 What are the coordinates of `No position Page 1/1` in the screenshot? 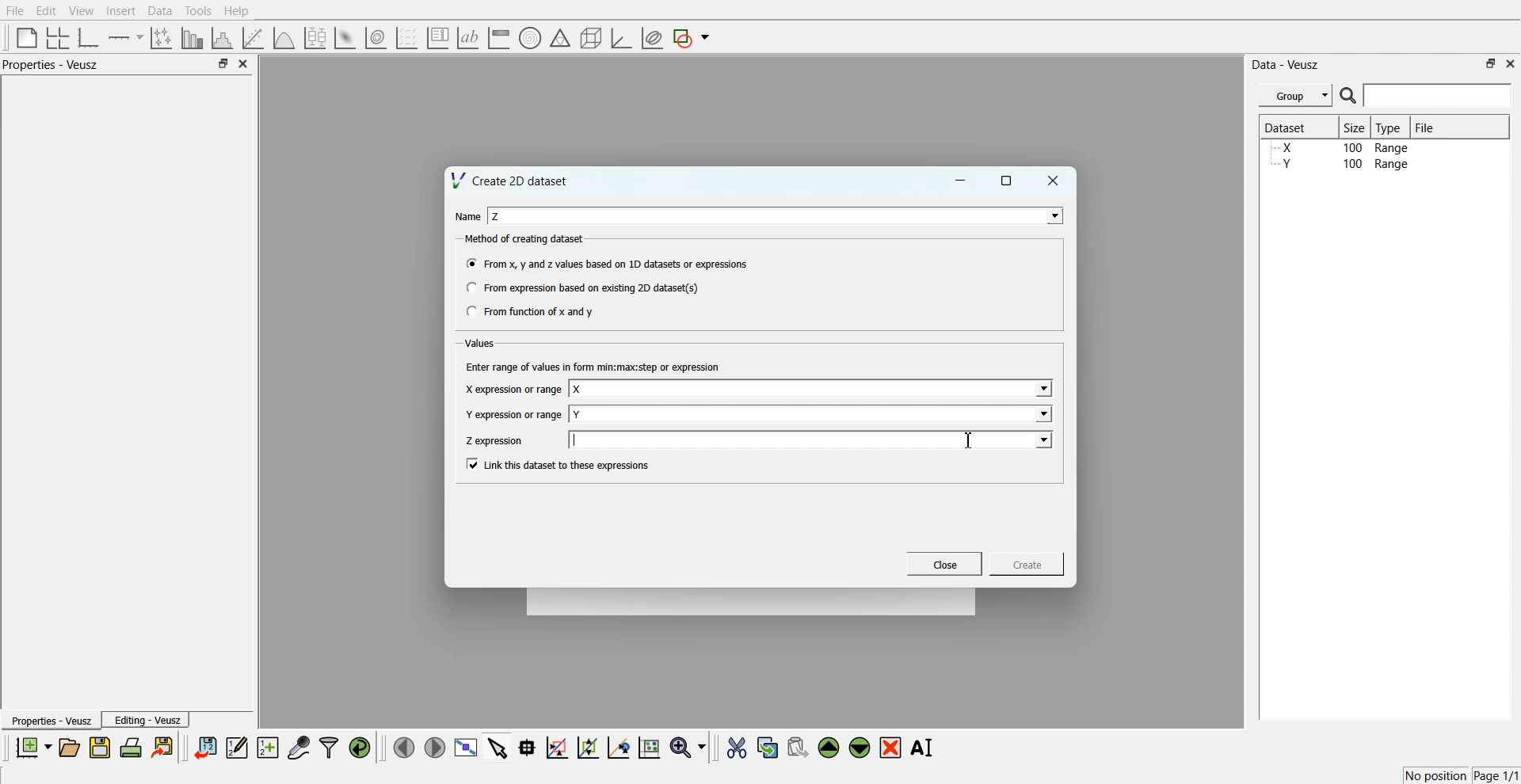 It's located at (1461, 775).